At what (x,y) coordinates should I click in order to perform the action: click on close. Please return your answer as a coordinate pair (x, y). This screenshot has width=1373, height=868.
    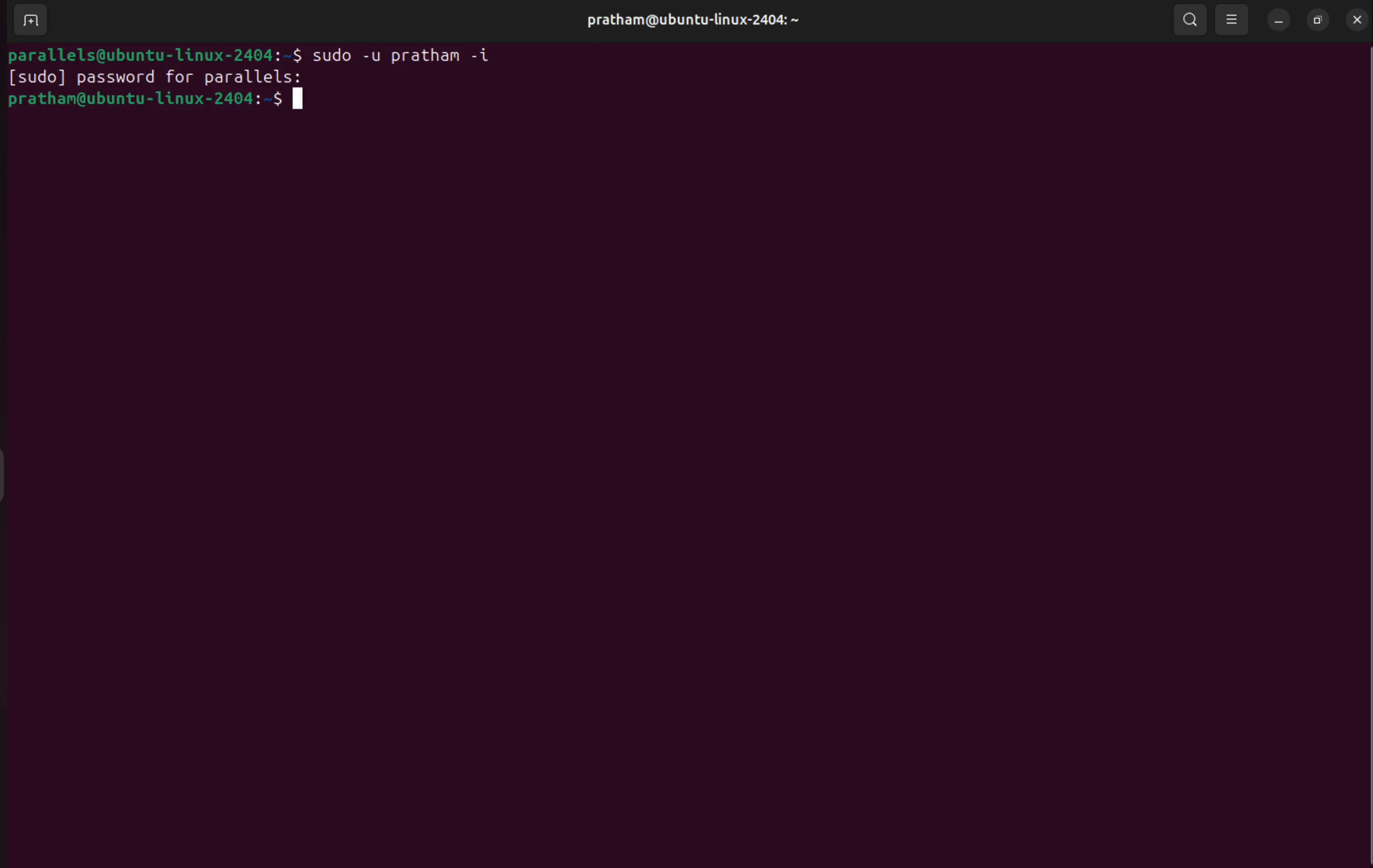
    Looking at the image, I should click on (1354, 19).